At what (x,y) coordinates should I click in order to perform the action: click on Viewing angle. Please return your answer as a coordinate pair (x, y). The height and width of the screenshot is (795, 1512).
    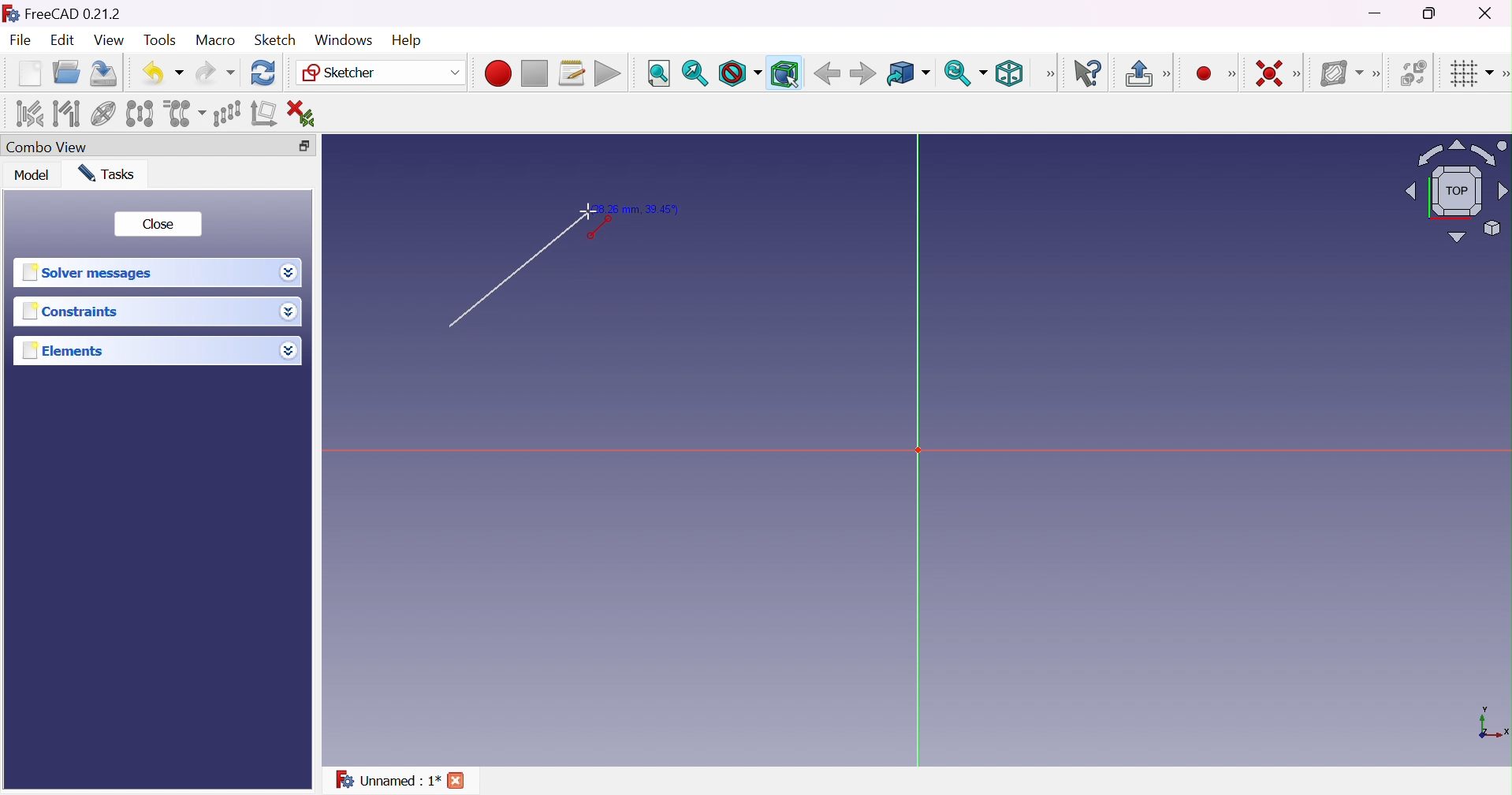
    Looking at the image, I should click on (1458, 190).